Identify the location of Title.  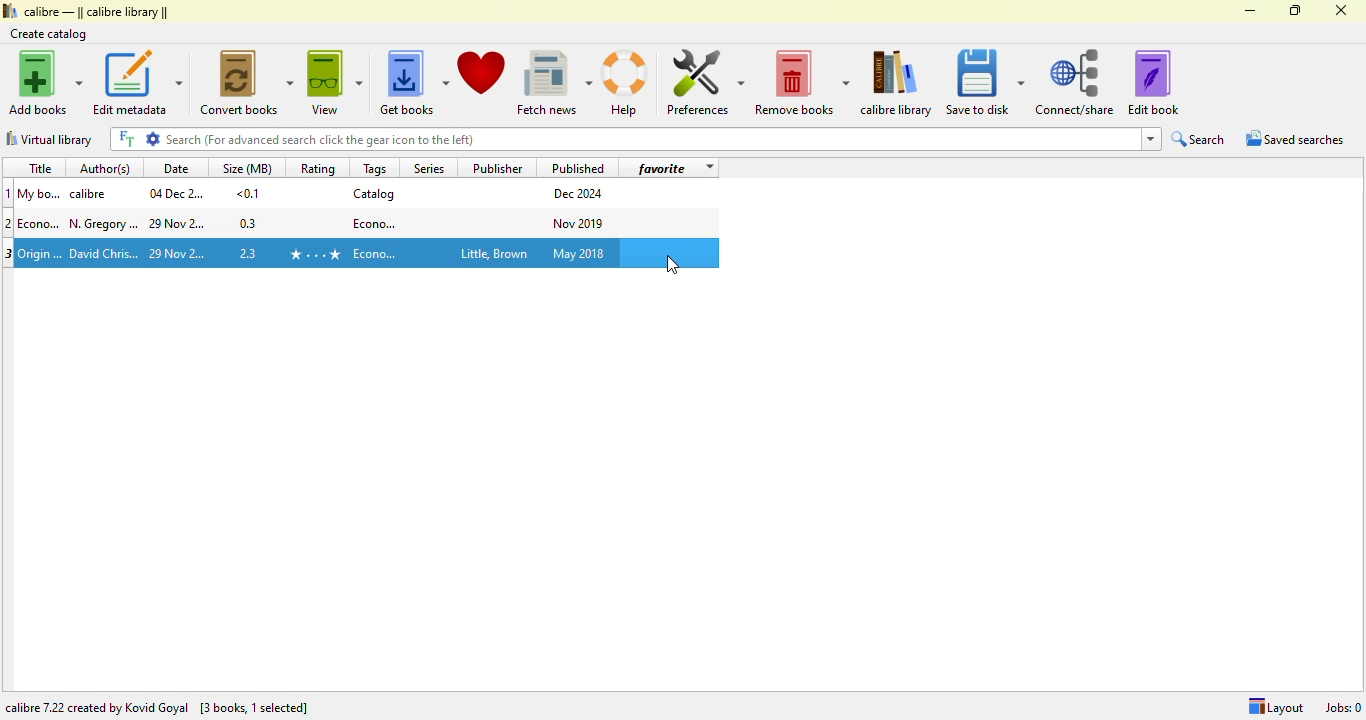
(40, 193).